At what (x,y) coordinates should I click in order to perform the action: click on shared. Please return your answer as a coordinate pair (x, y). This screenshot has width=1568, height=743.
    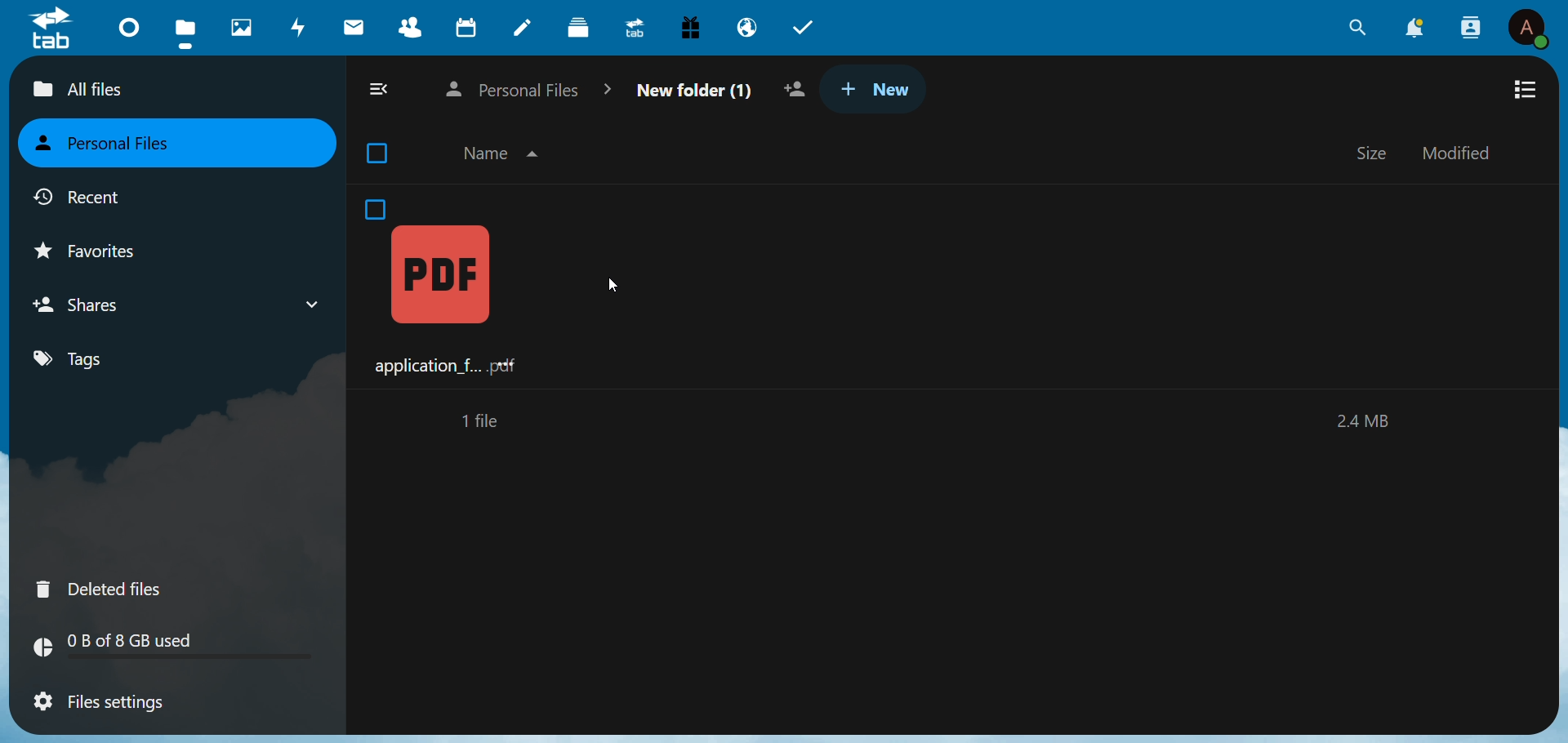
    Looking at the image, I should click on (799, 90).